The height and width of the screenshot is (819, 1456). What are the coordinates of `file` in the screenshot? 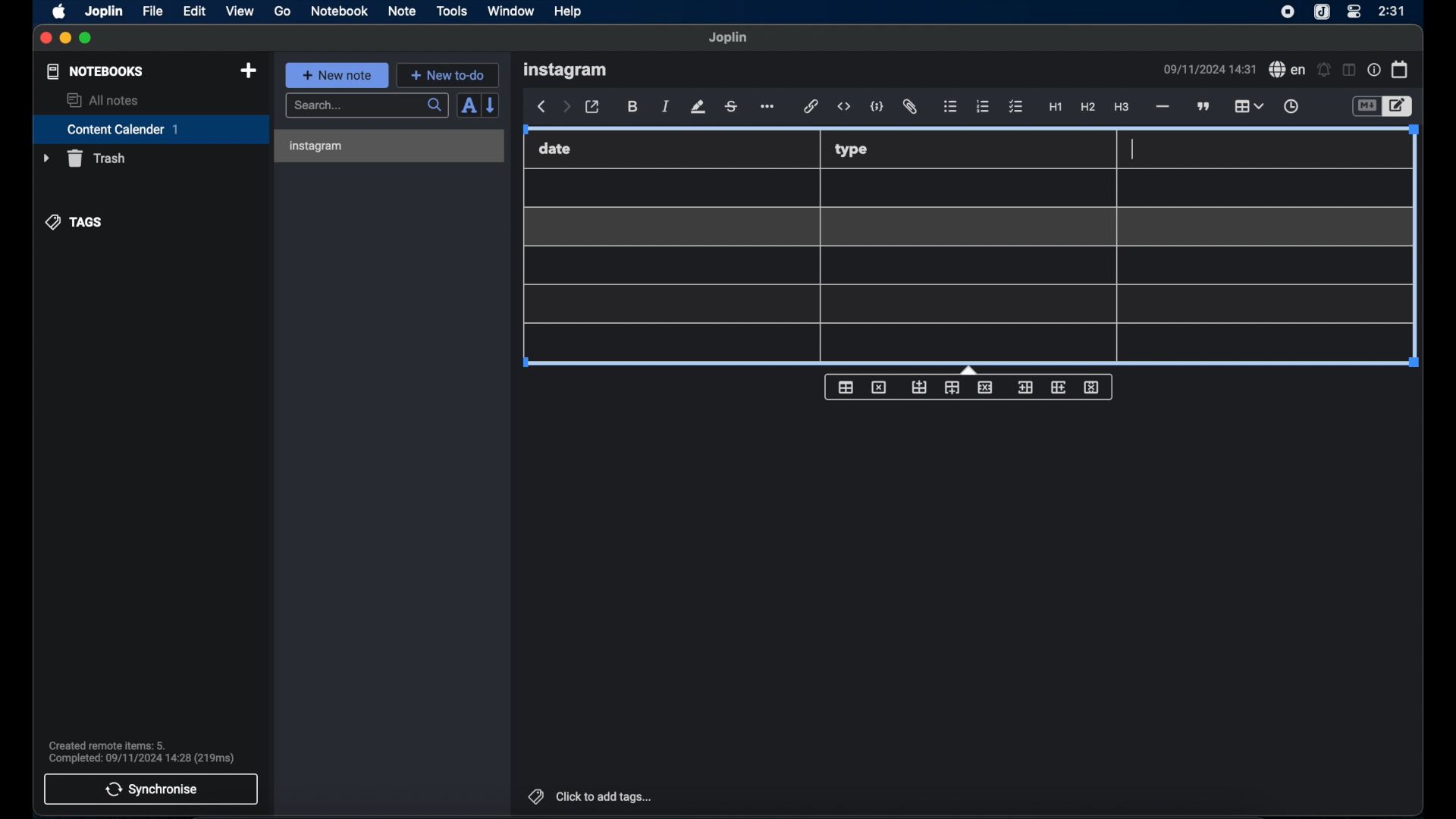 It's located at (154, 11).